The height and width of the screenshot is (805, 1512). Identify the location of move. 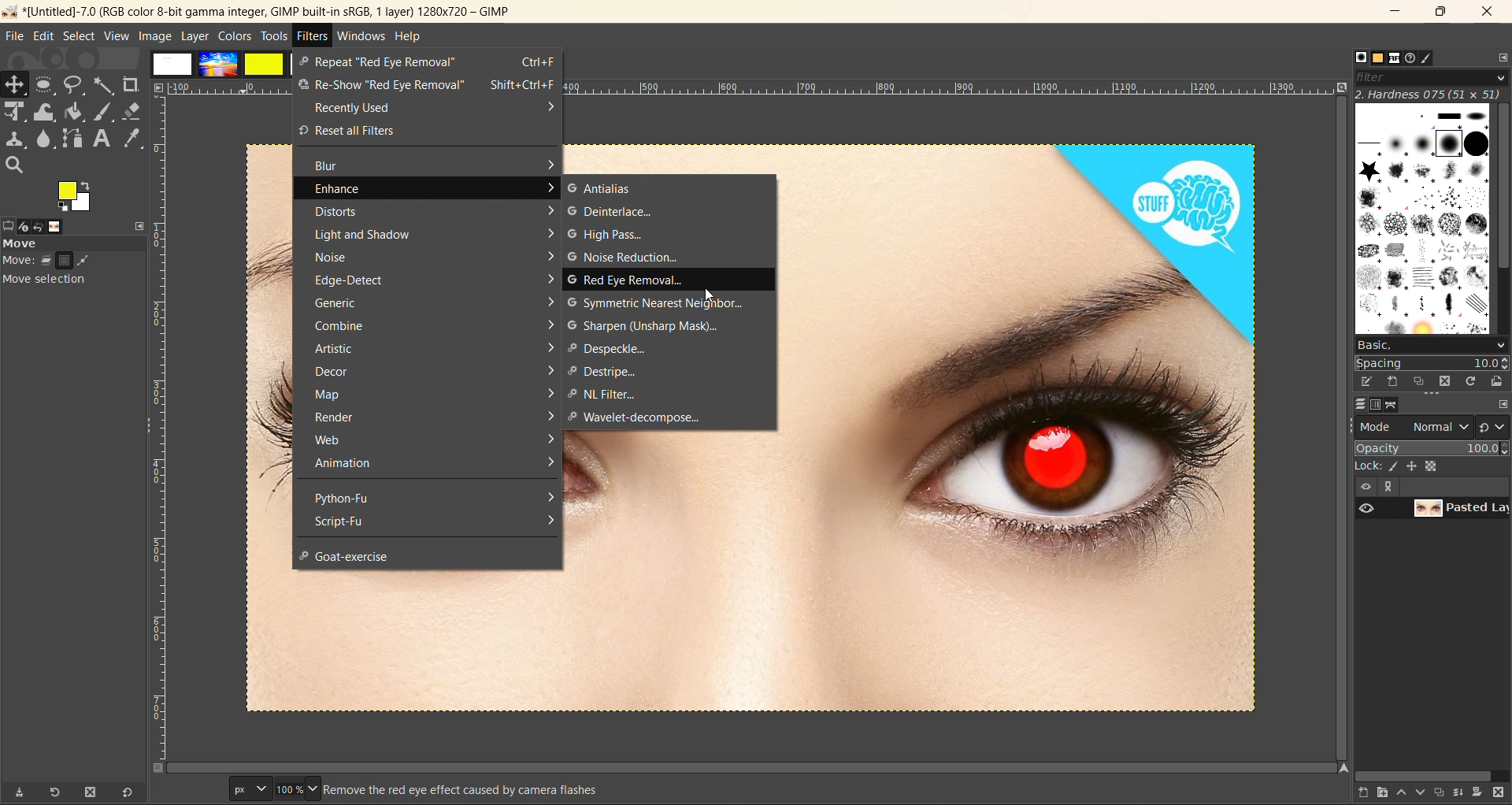
(76, 265).